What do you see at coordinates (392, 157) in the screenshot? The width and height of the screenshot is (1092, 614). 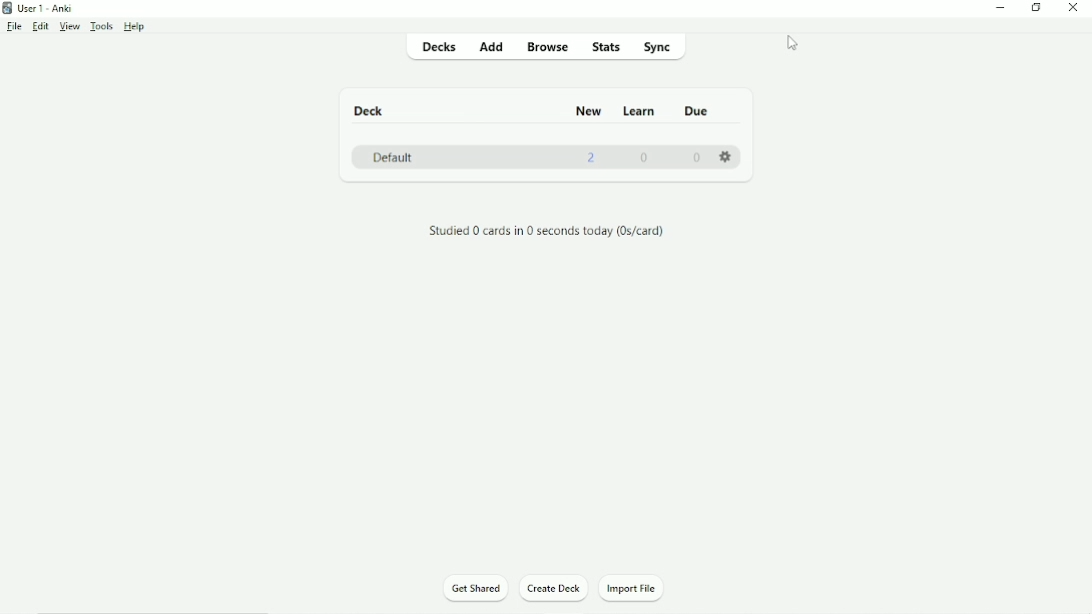 I see `Default` at bounding box center [392, 157].